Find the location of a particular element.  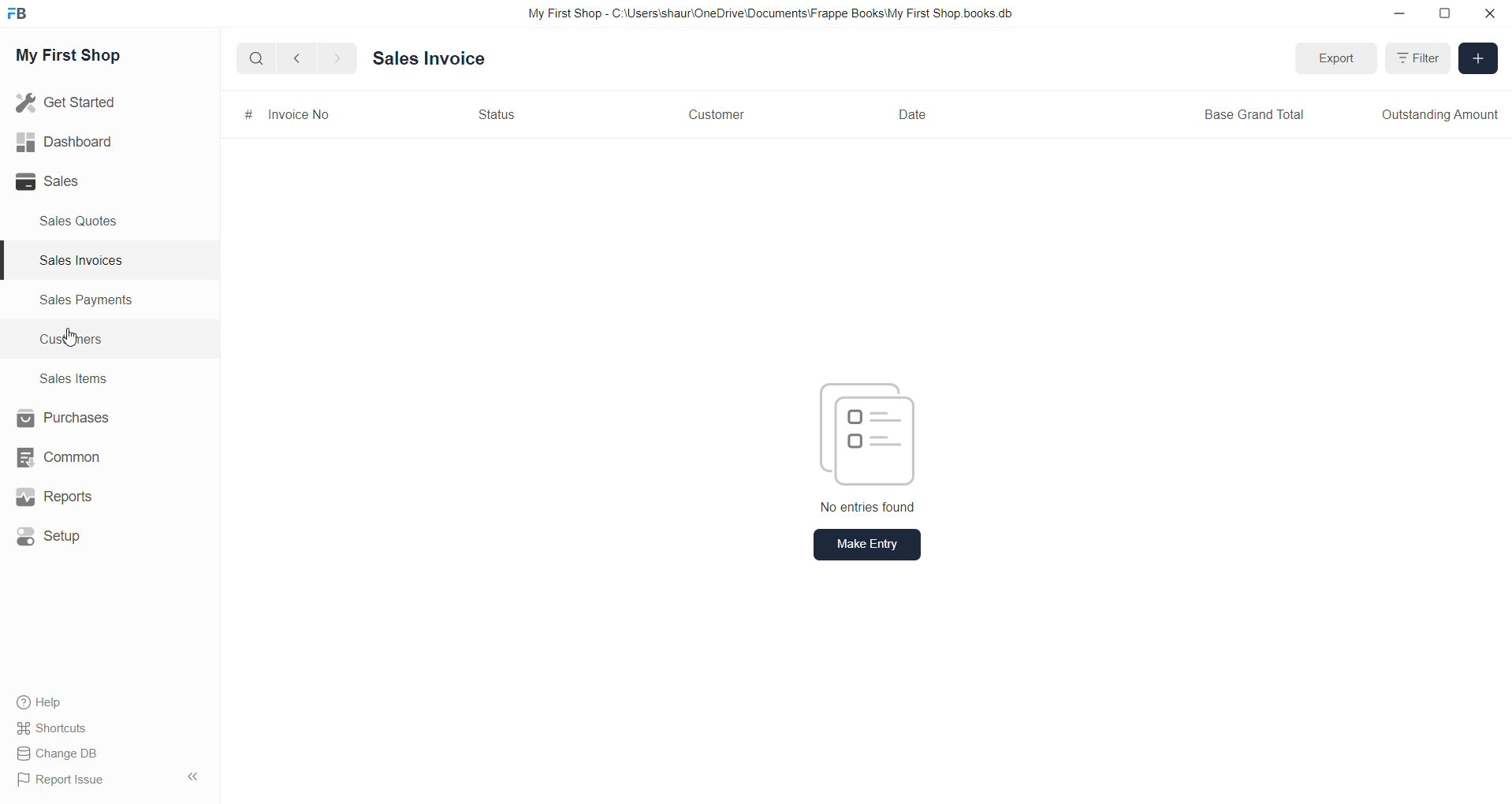

Export is located at coordinates (1339, 59).